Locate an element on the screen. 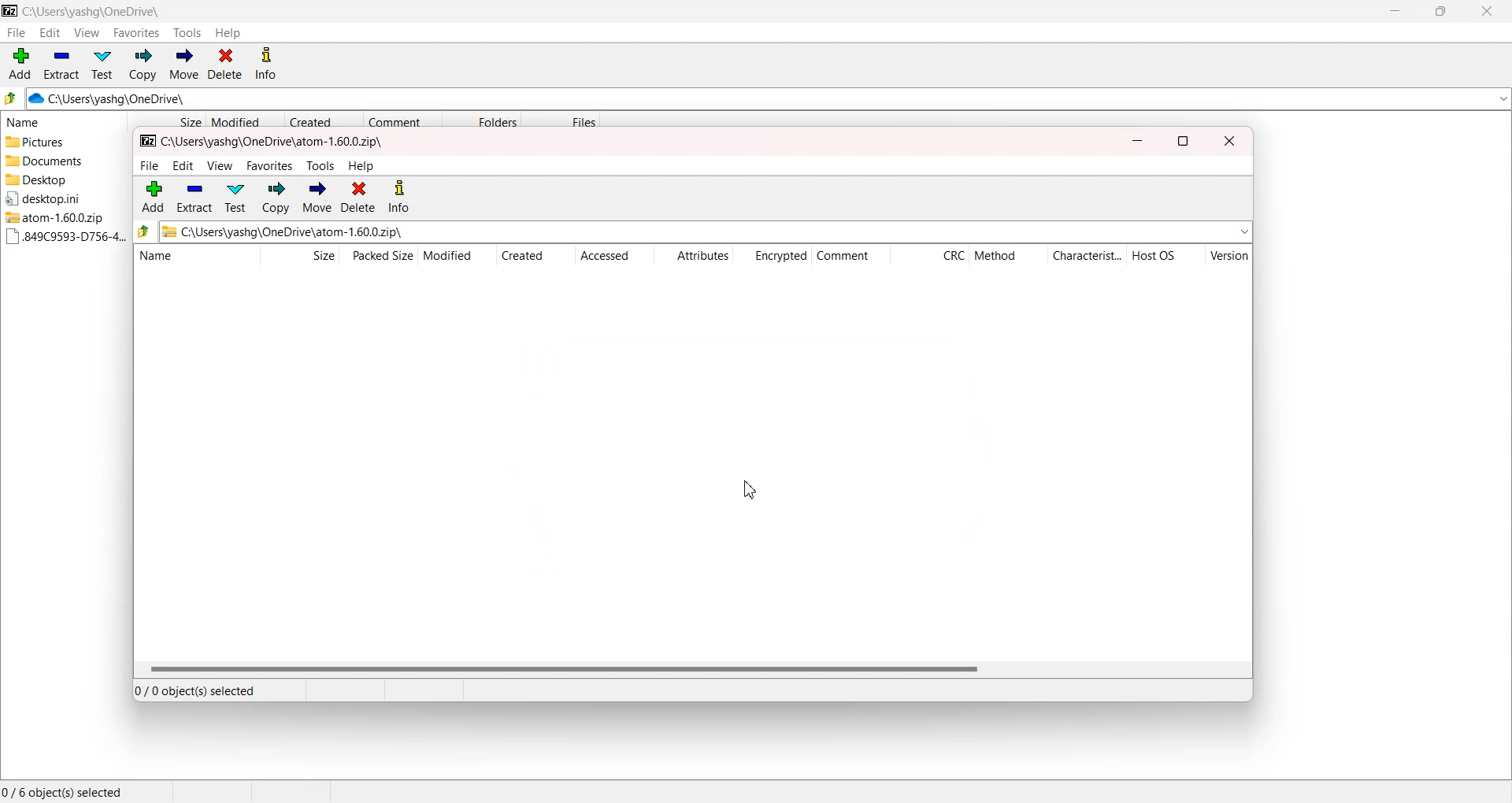 The width and height of the screenshot is (1512, 803). Favorites is located at coordinates (137, 32).